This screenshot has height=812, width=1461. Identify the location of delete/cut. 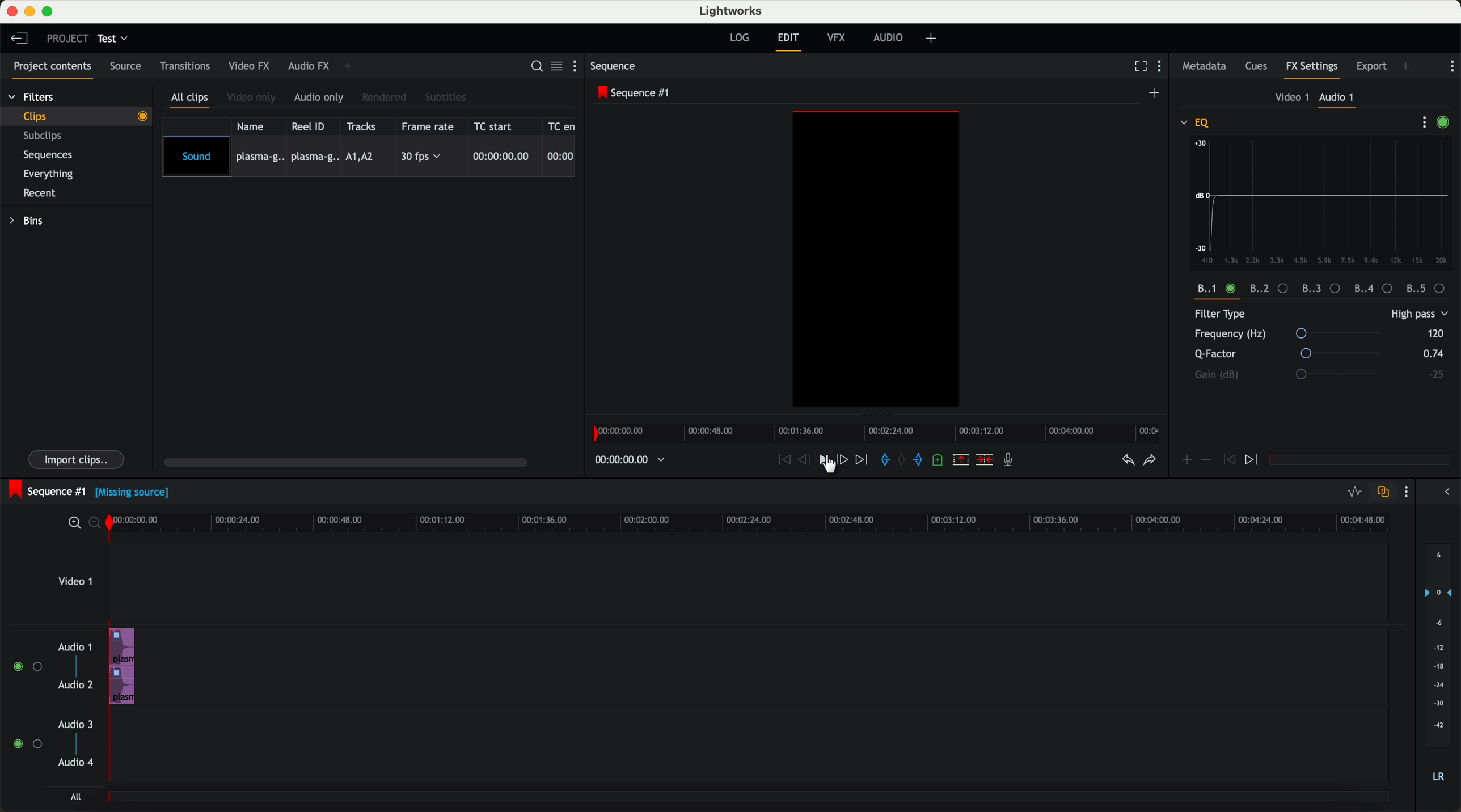
(983, 460).